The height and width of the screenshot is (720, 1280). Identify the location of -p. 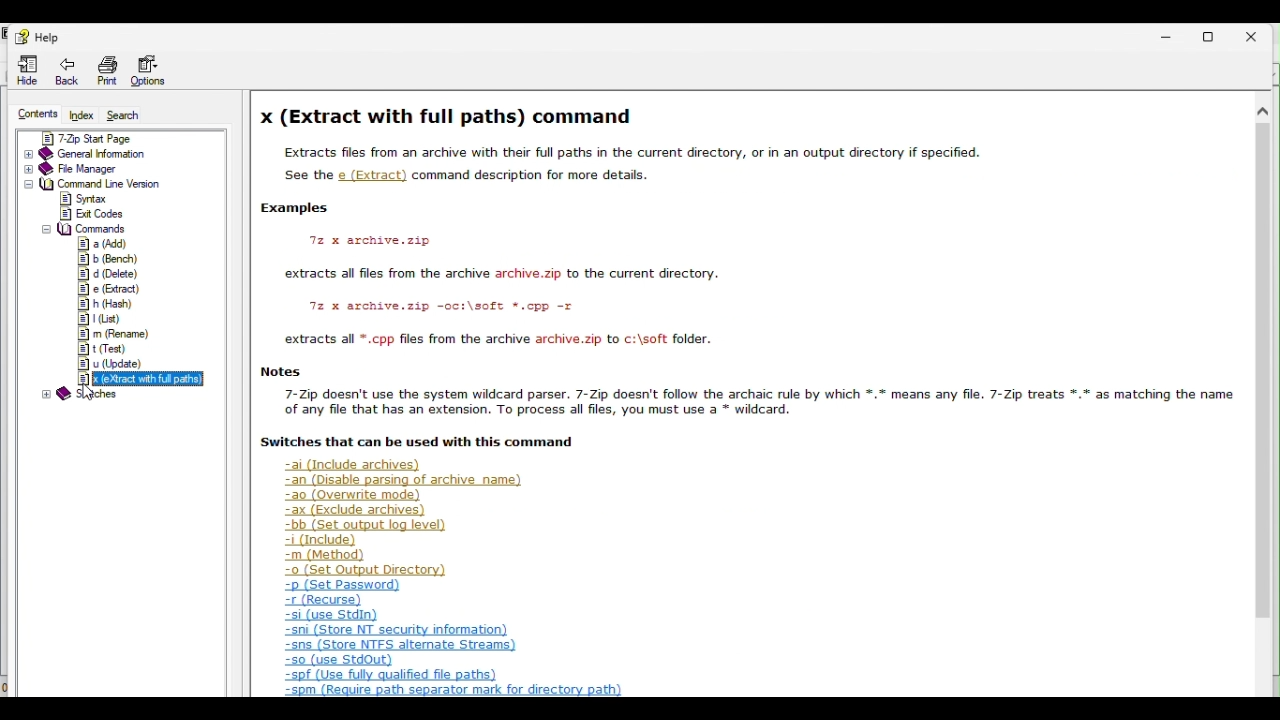
(347, 586).